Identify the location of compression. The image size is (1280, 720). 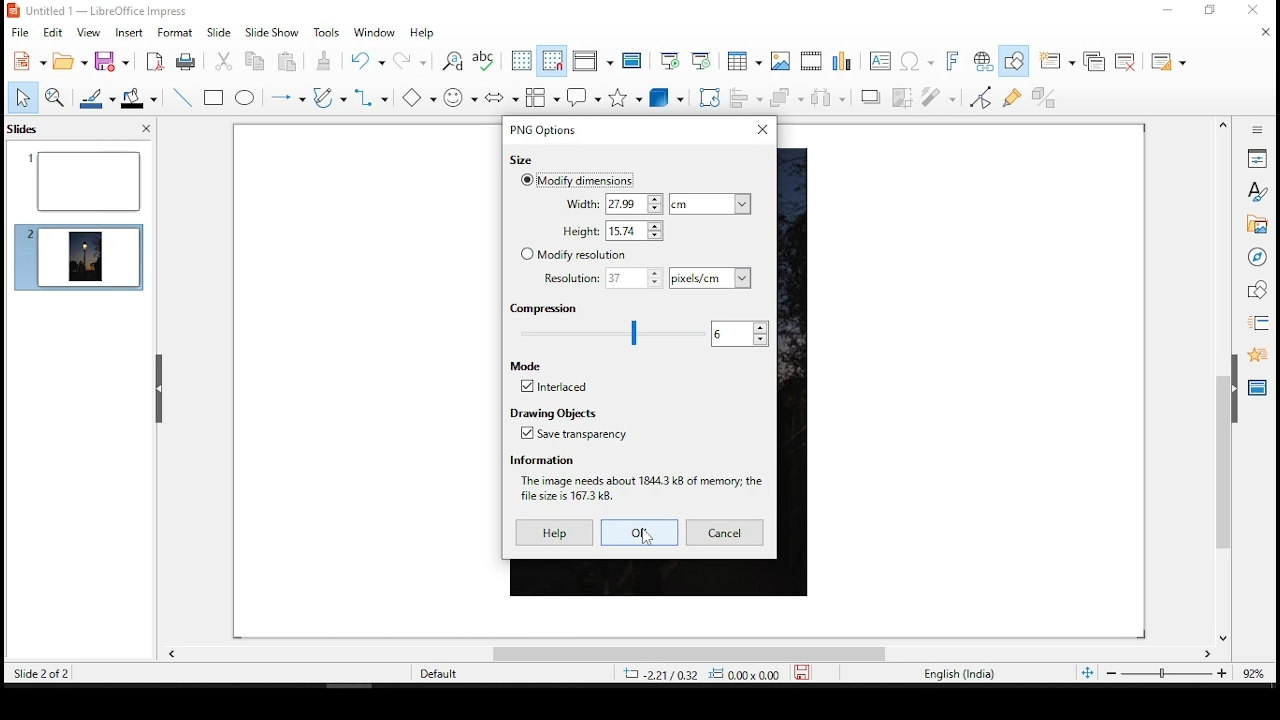
(549, 309).